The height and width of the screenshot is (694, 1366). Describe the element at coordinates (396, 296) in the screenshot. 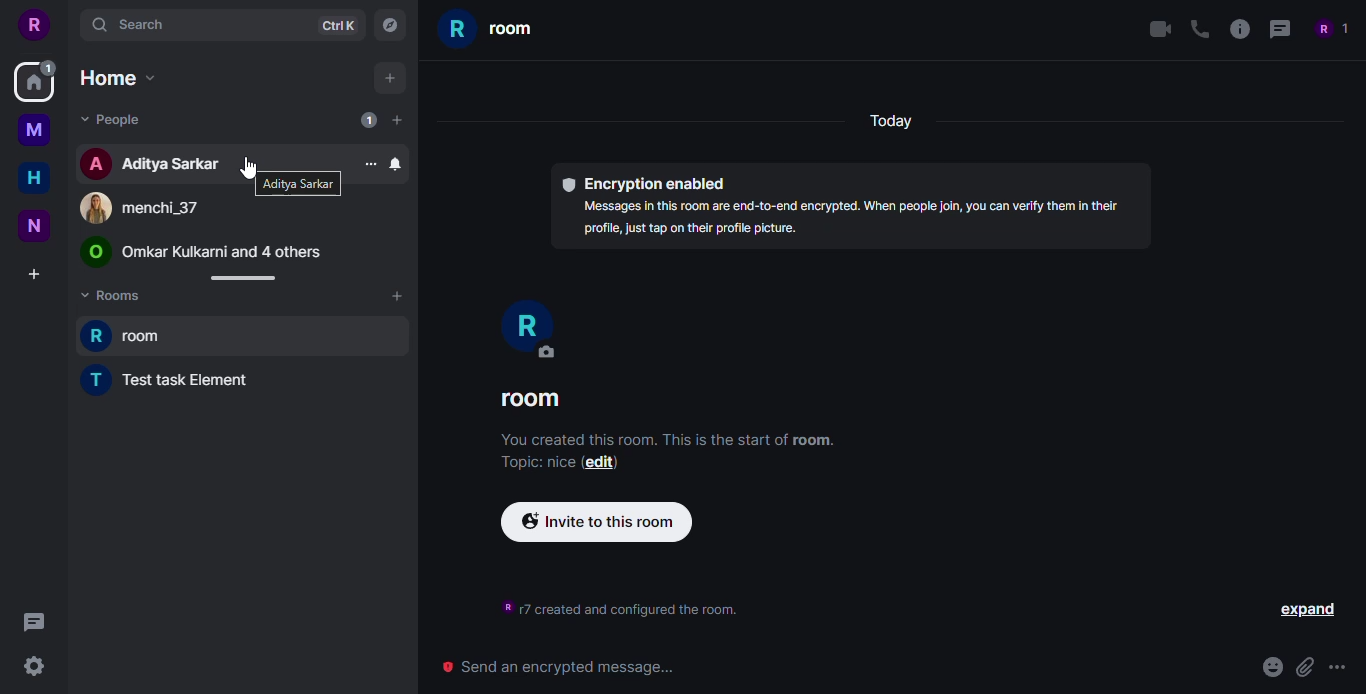

I see `add room` at that location.